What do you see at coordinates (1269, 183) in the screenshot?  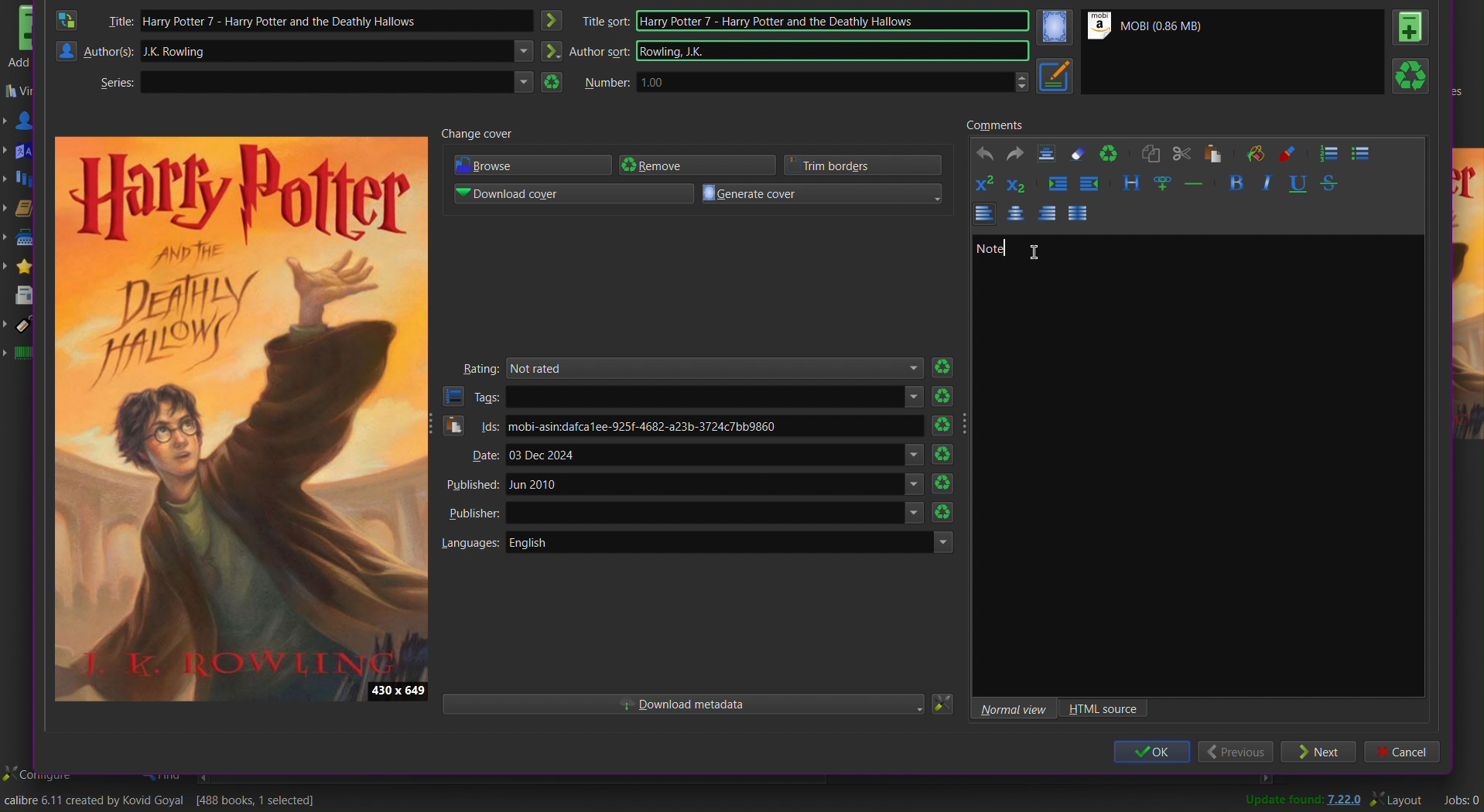 I see `Italics` at bounding box center [1269, 183].